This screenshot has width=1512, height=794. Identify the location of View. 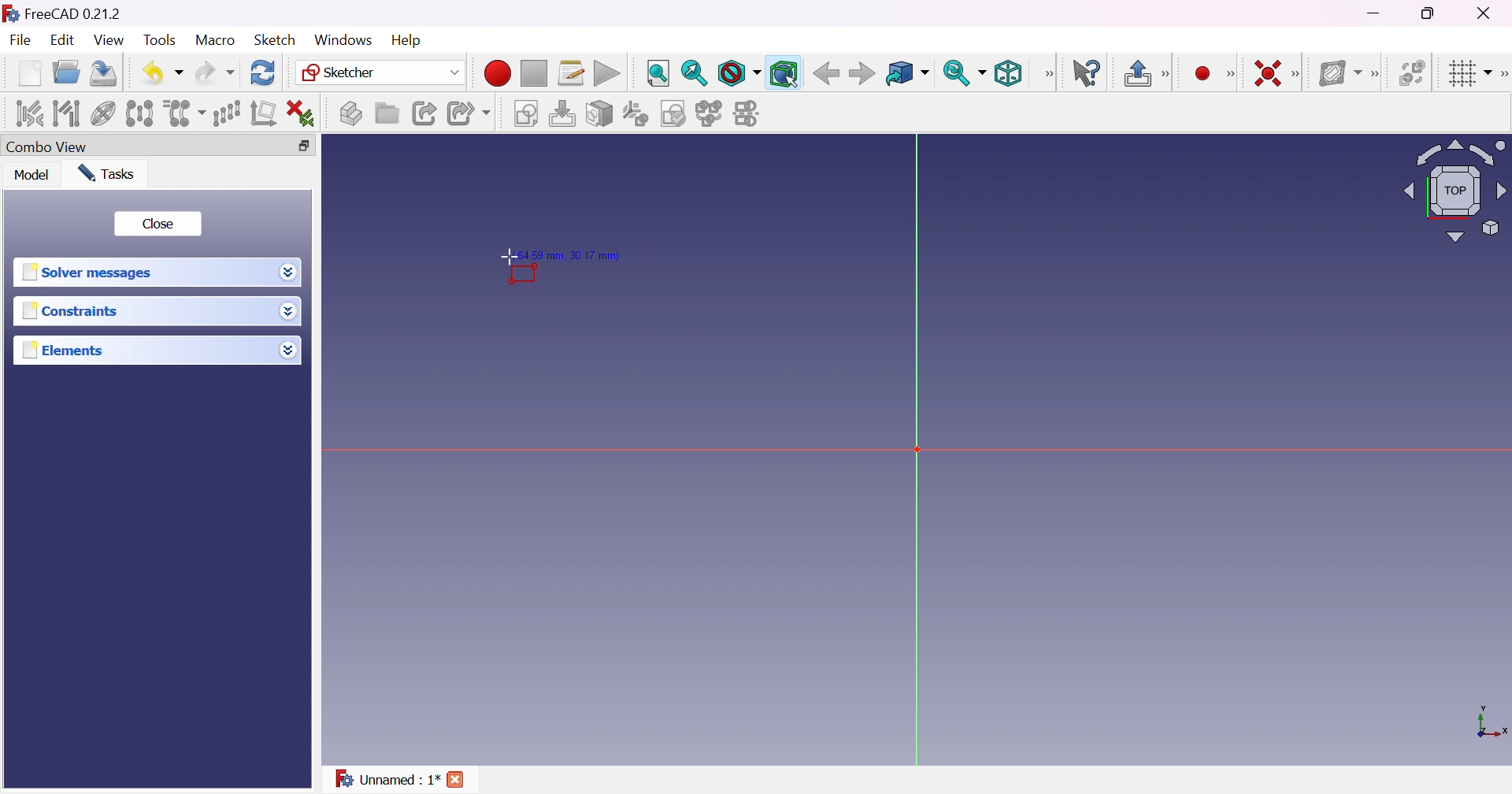
(1048, 75).